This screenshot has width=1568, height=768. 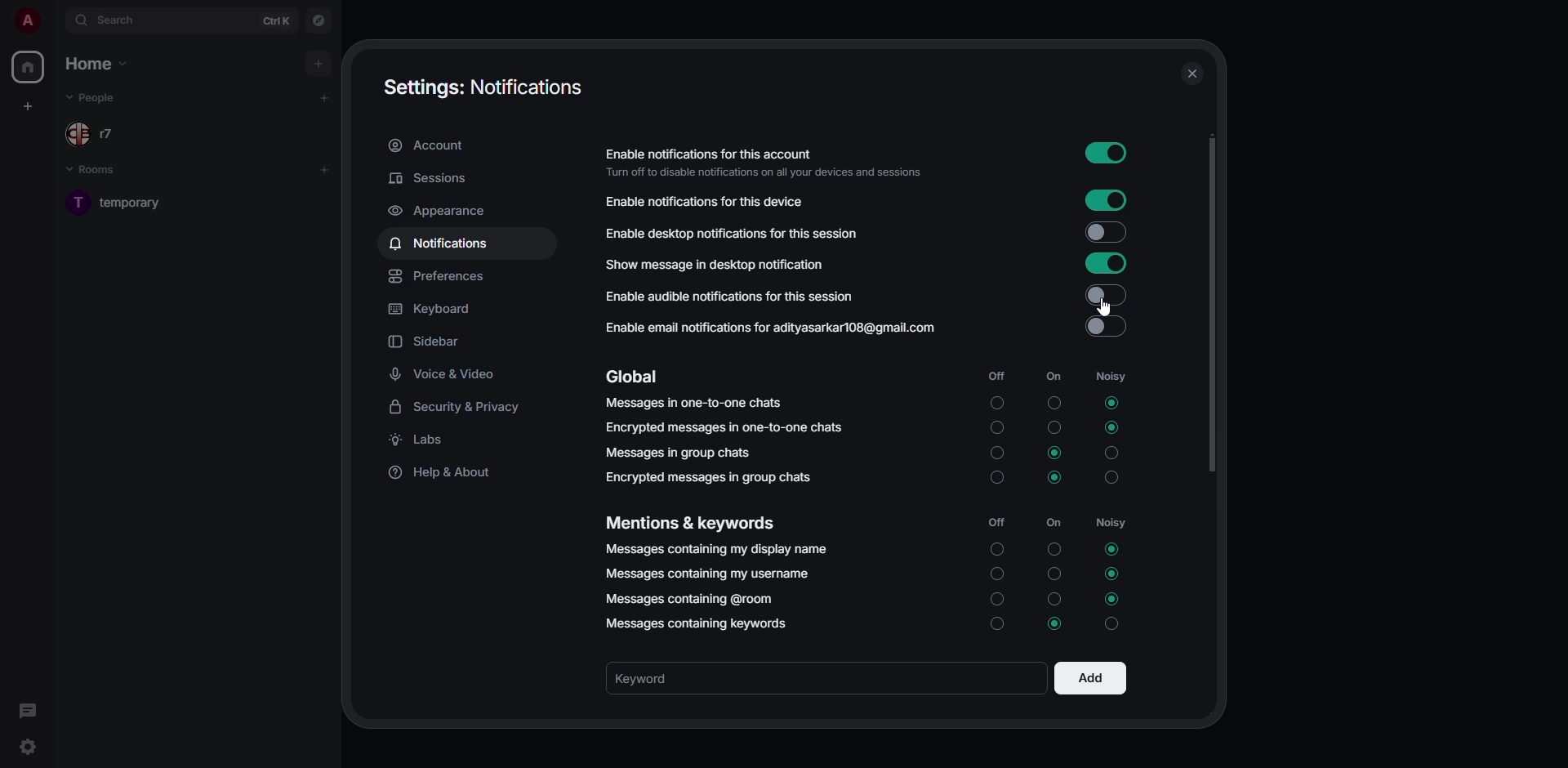 I want to click on appearance, so click(x=442, y=211).